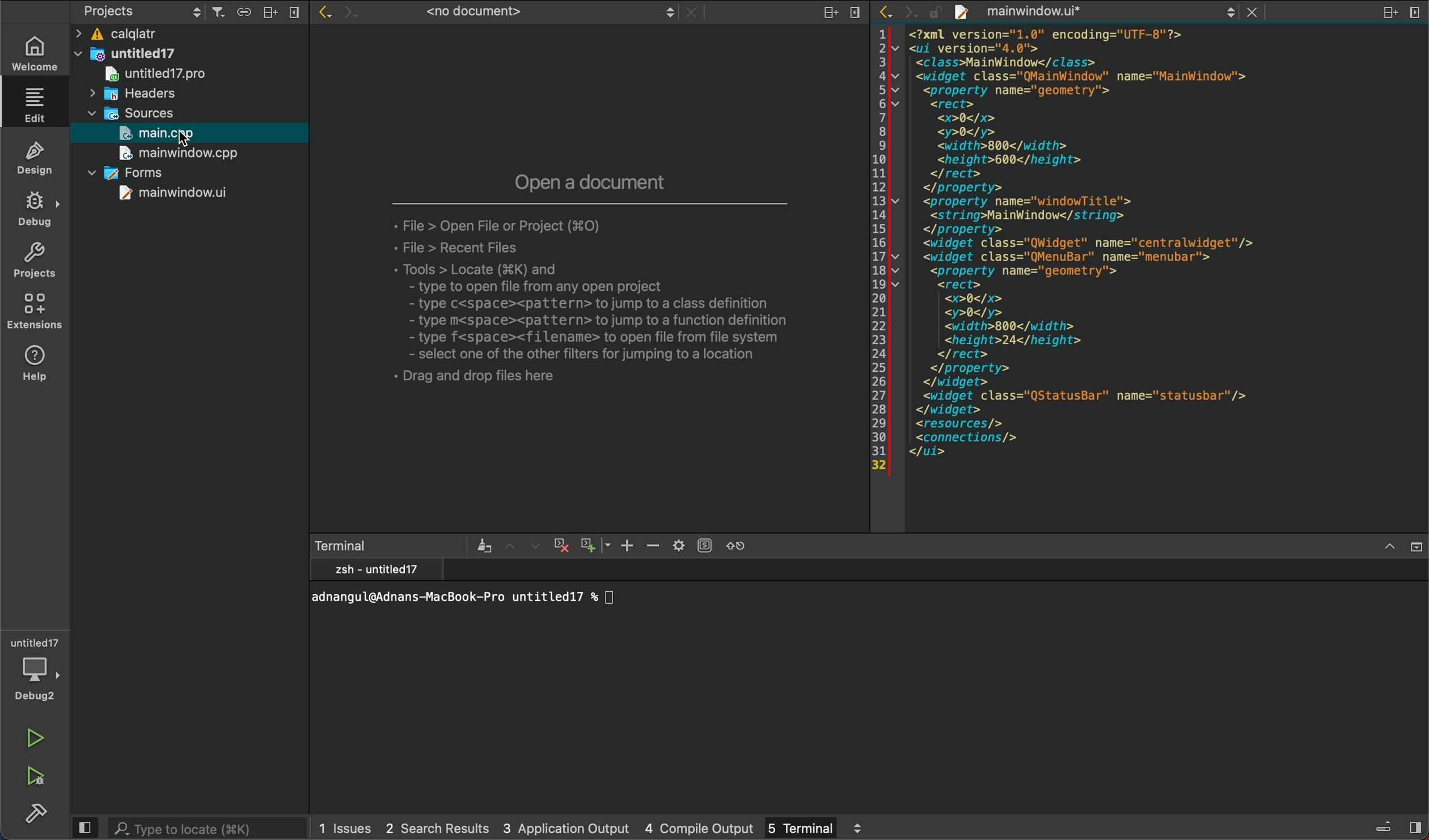 This screenshot has height=840, width=1429. I want to click on filter tree, so click(219, 13).